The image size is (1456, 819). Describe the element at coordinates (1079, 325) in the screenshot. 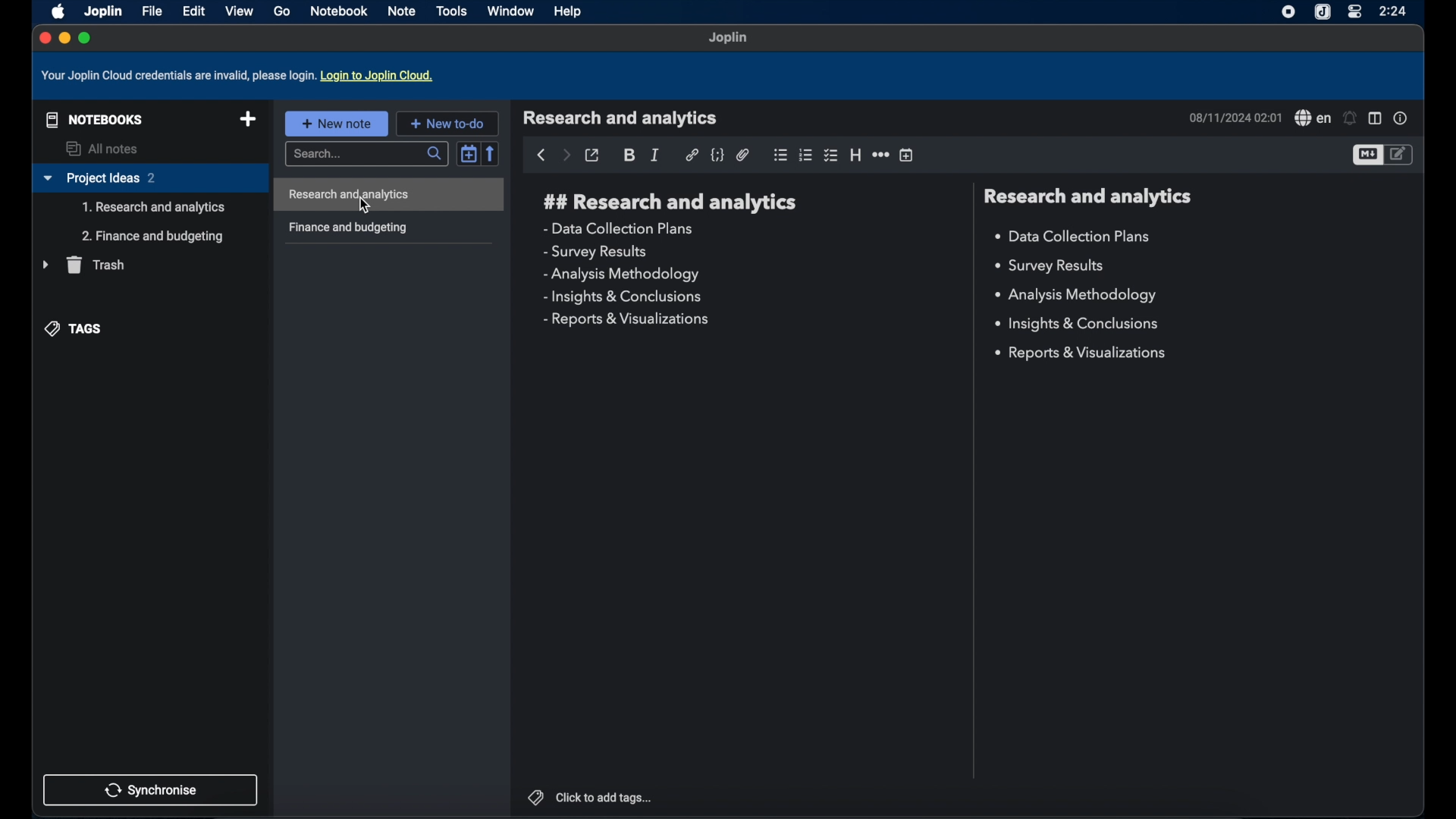

I see `insights and conclusions` at that location.